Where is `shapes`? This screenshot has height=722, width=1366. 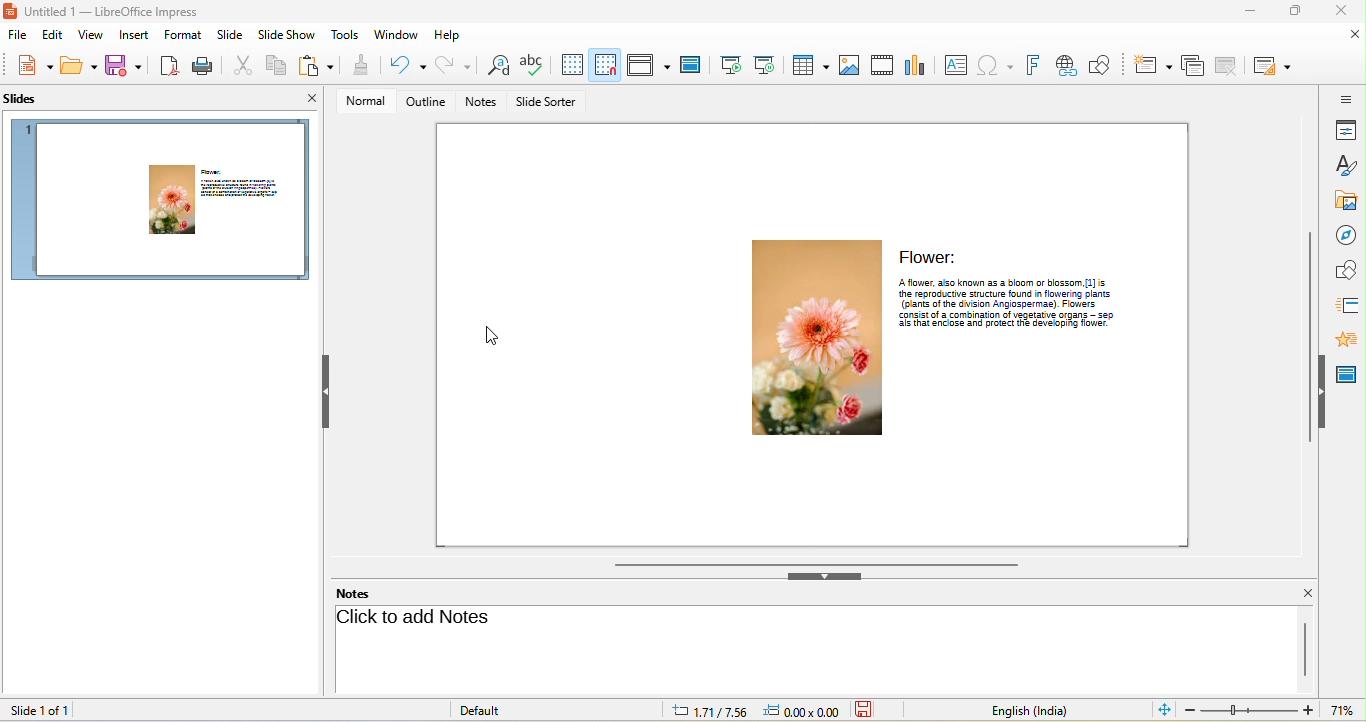 shapes is located at coordinates (1347, 270).